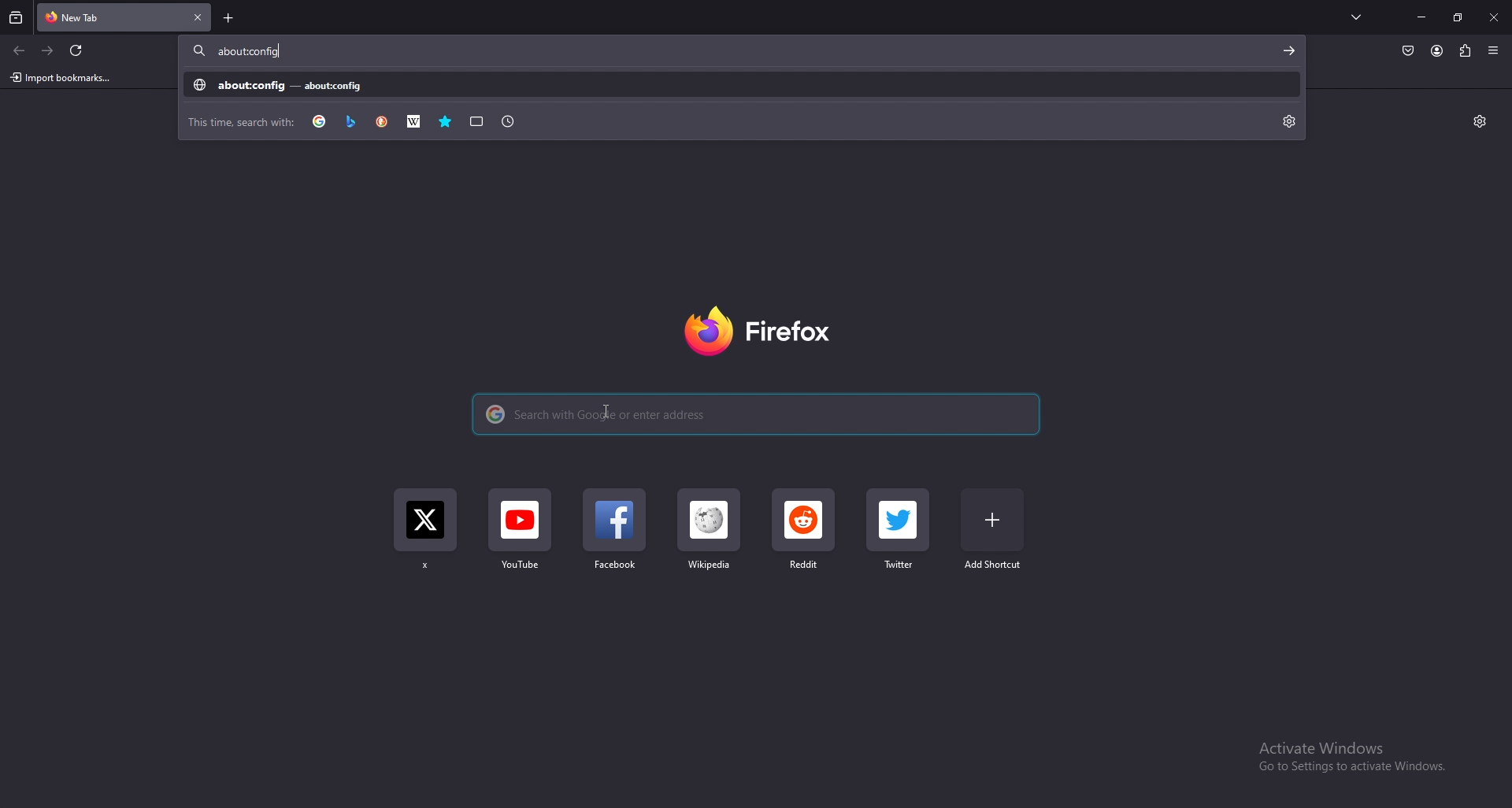 The width and height of the screenshot is (1512, 808). I want to click on close tab, so click(197, 17).